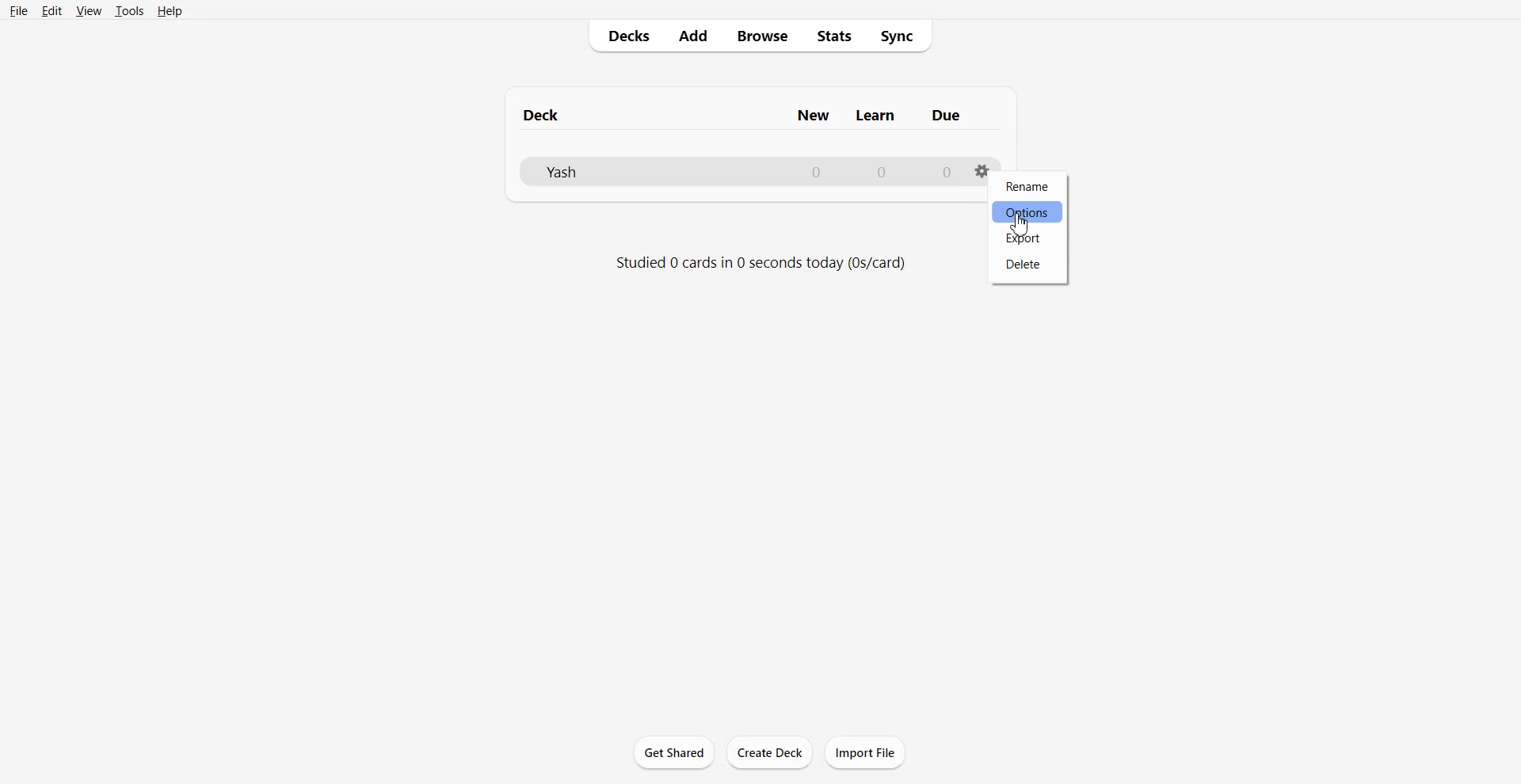 This screenshot has height=784, width=1521. I want to click on Rename, so click(1028, 187).